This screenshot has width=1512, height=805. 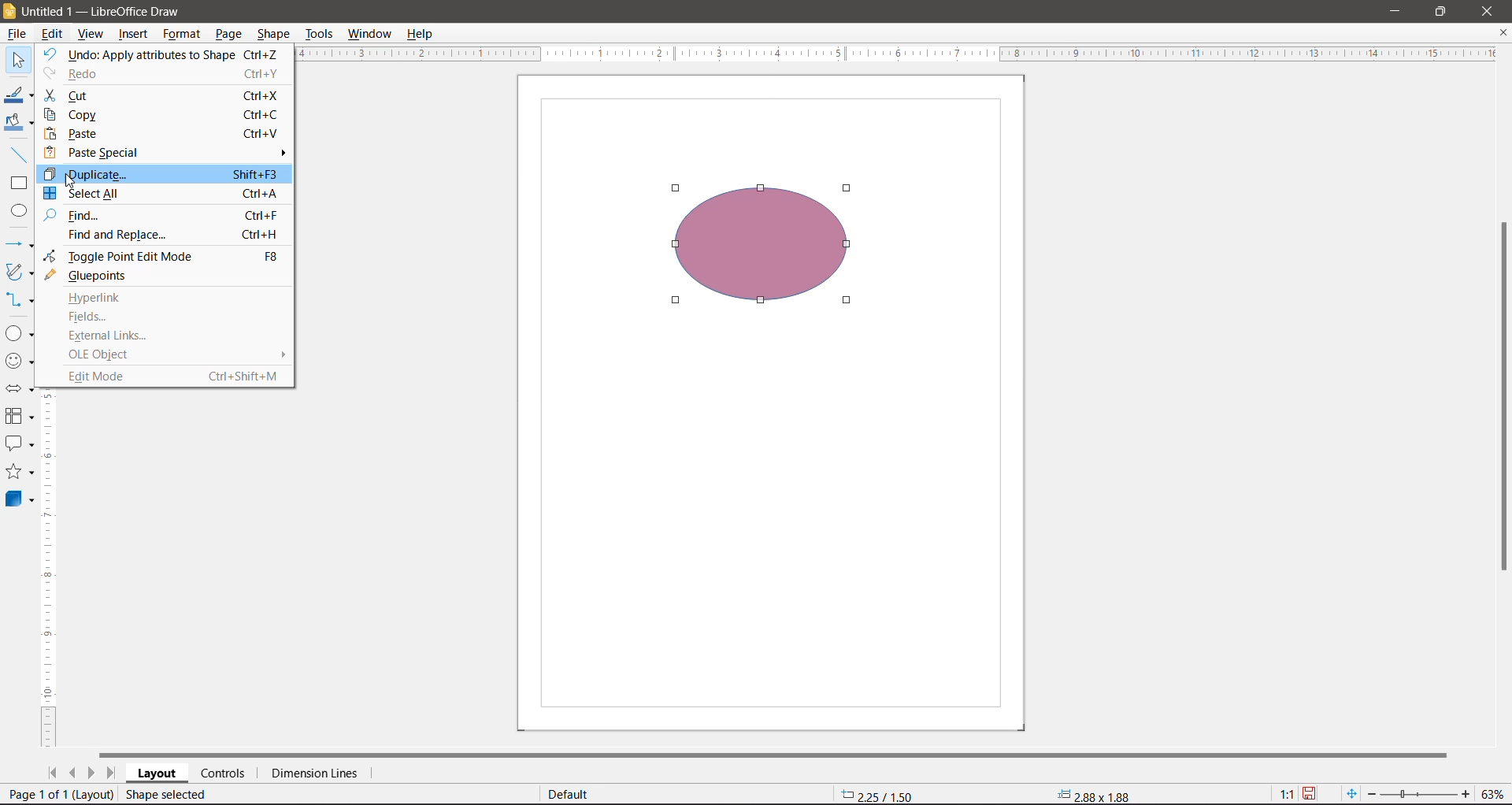 What do you see at coordinates (1503, 399) in the screenshot?
I see `Vertical Scroll Bar` at bounding box center [1503, 399].